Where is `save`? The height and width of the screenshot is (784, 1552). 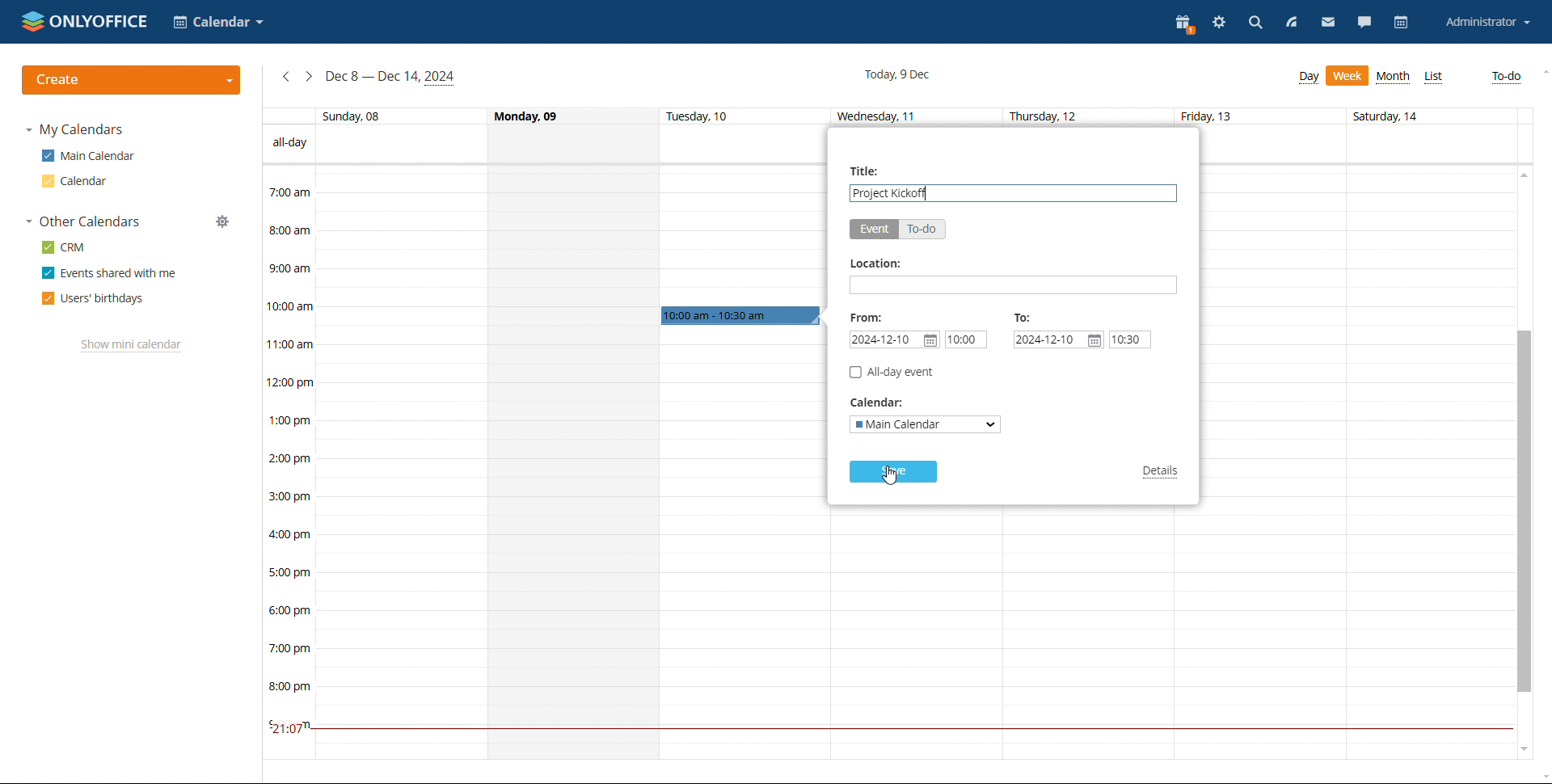
save is located at coordinates (893, 471).